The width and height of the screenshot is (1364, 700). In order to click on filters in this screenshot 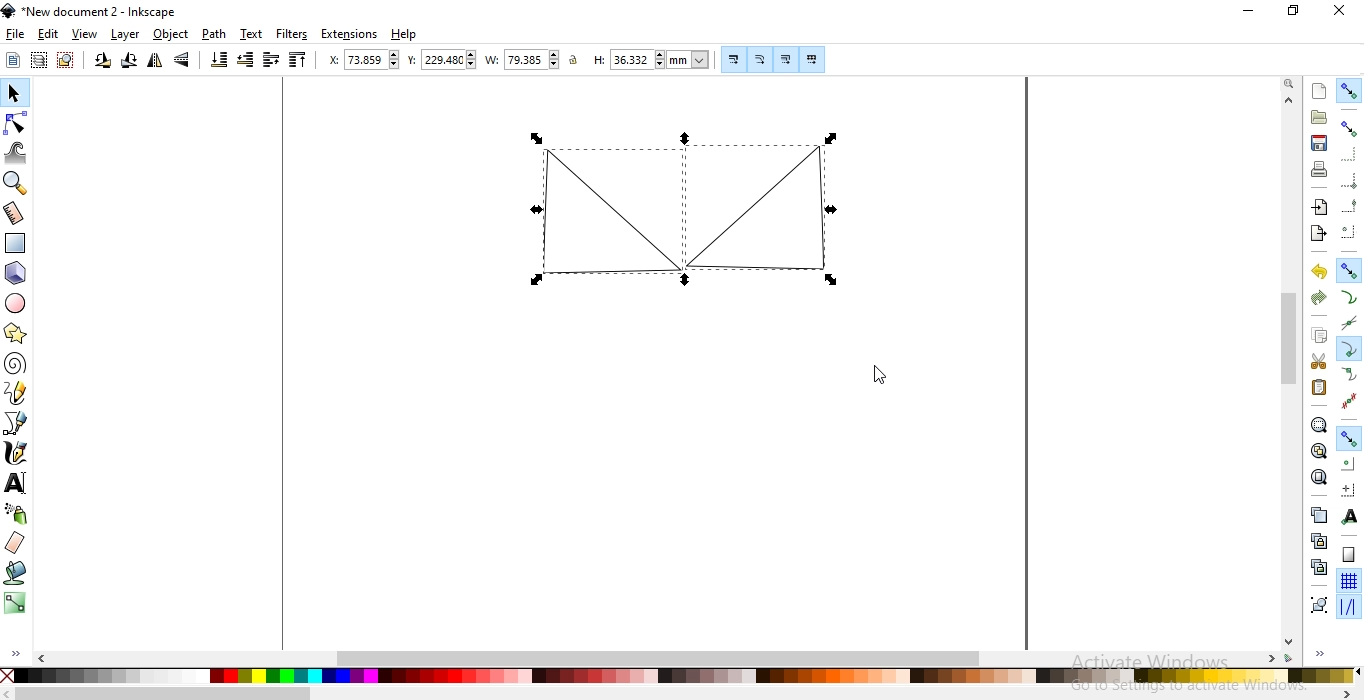, I will do `click(292, 34)`.